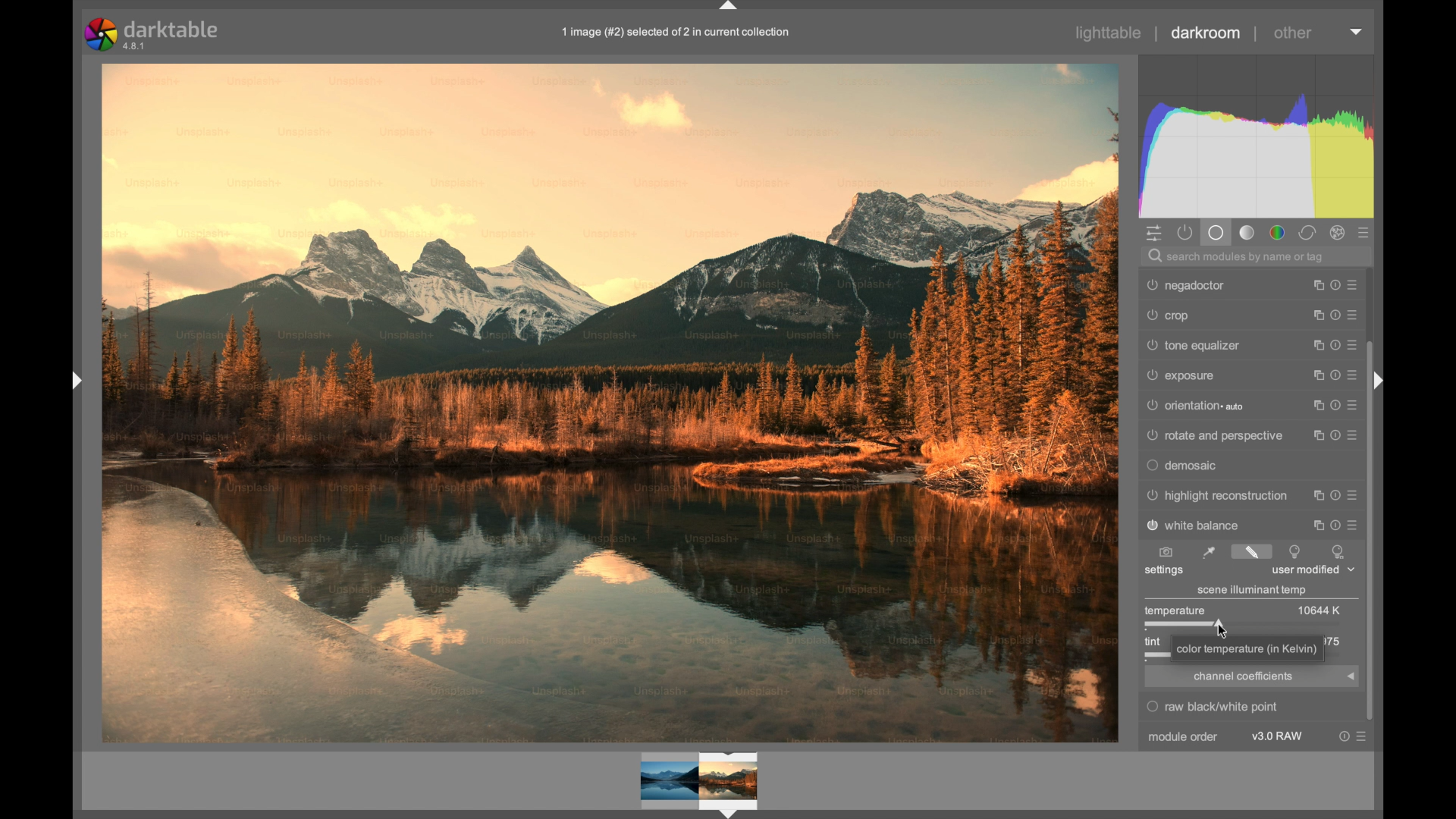 The image size is (1456, 819). Describe the element at coordinates (1151, 642) in the screenshot. I see `tint` at that location.